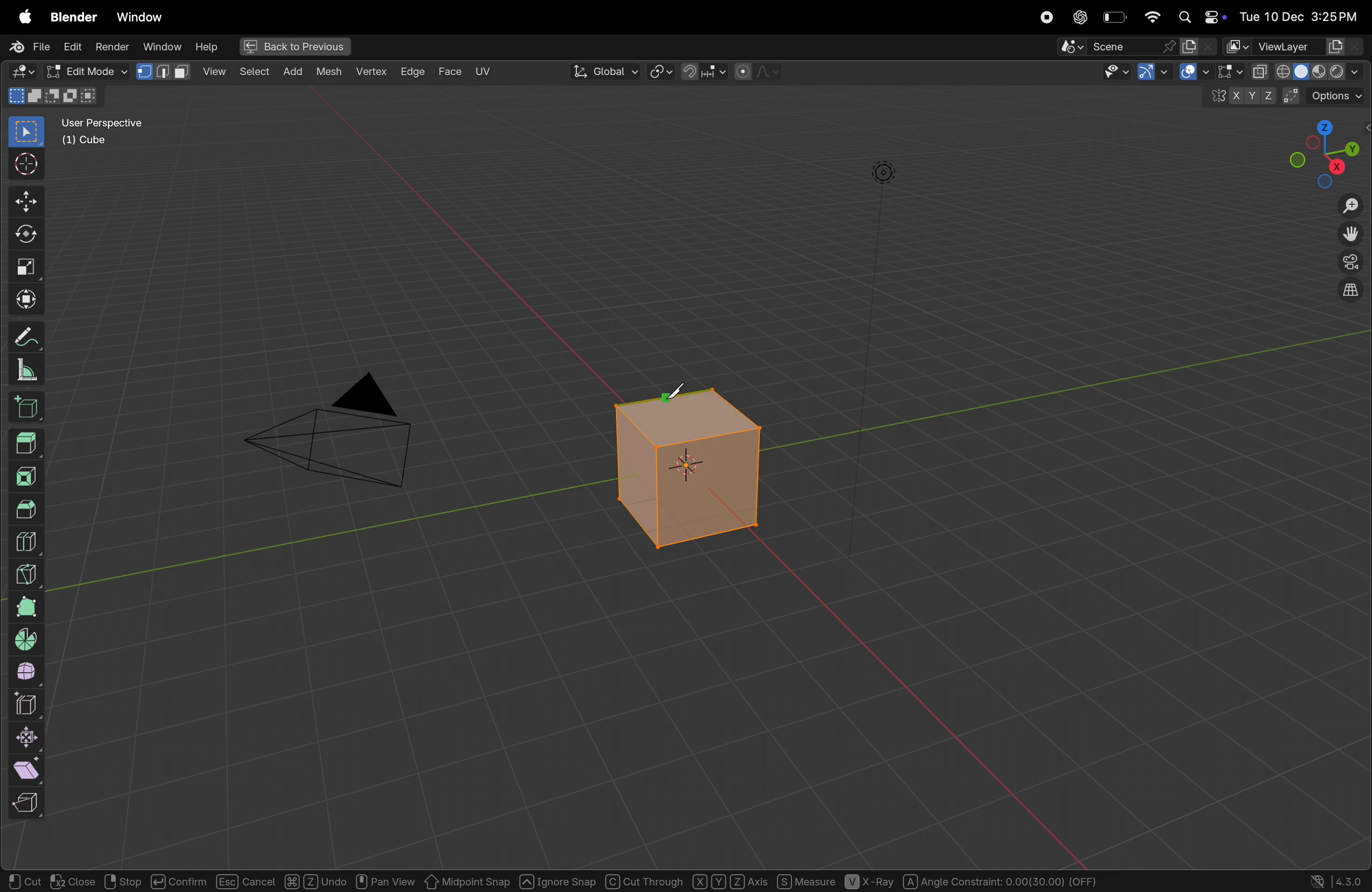 The width and height of the screenshot is (1372, 892). What do you see at coordinates (216, 71) in the screenshot?
I see `select` at bounding box center [216, 71].